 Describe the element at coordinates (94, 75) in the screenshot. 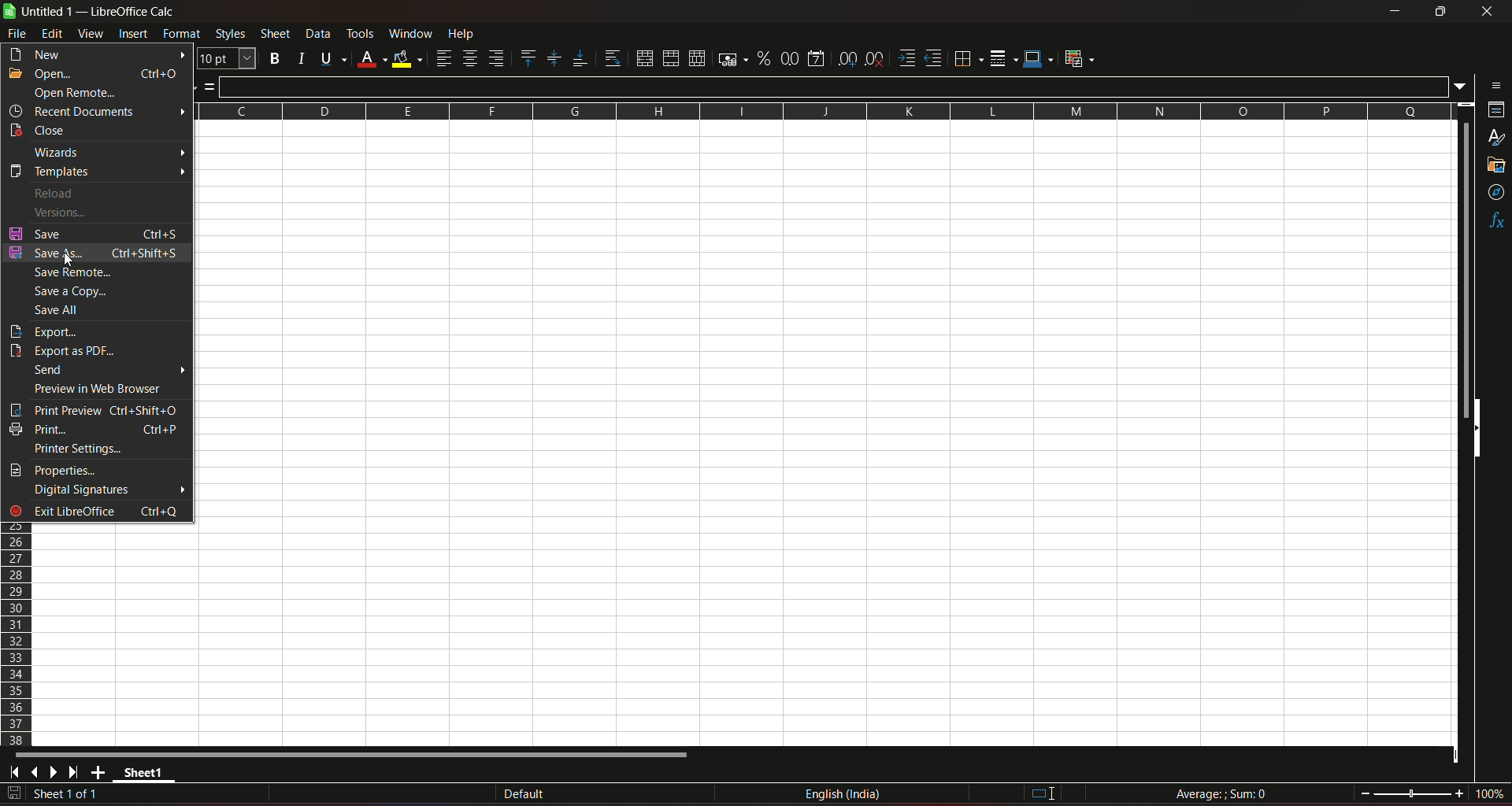

I see `open` at that location.